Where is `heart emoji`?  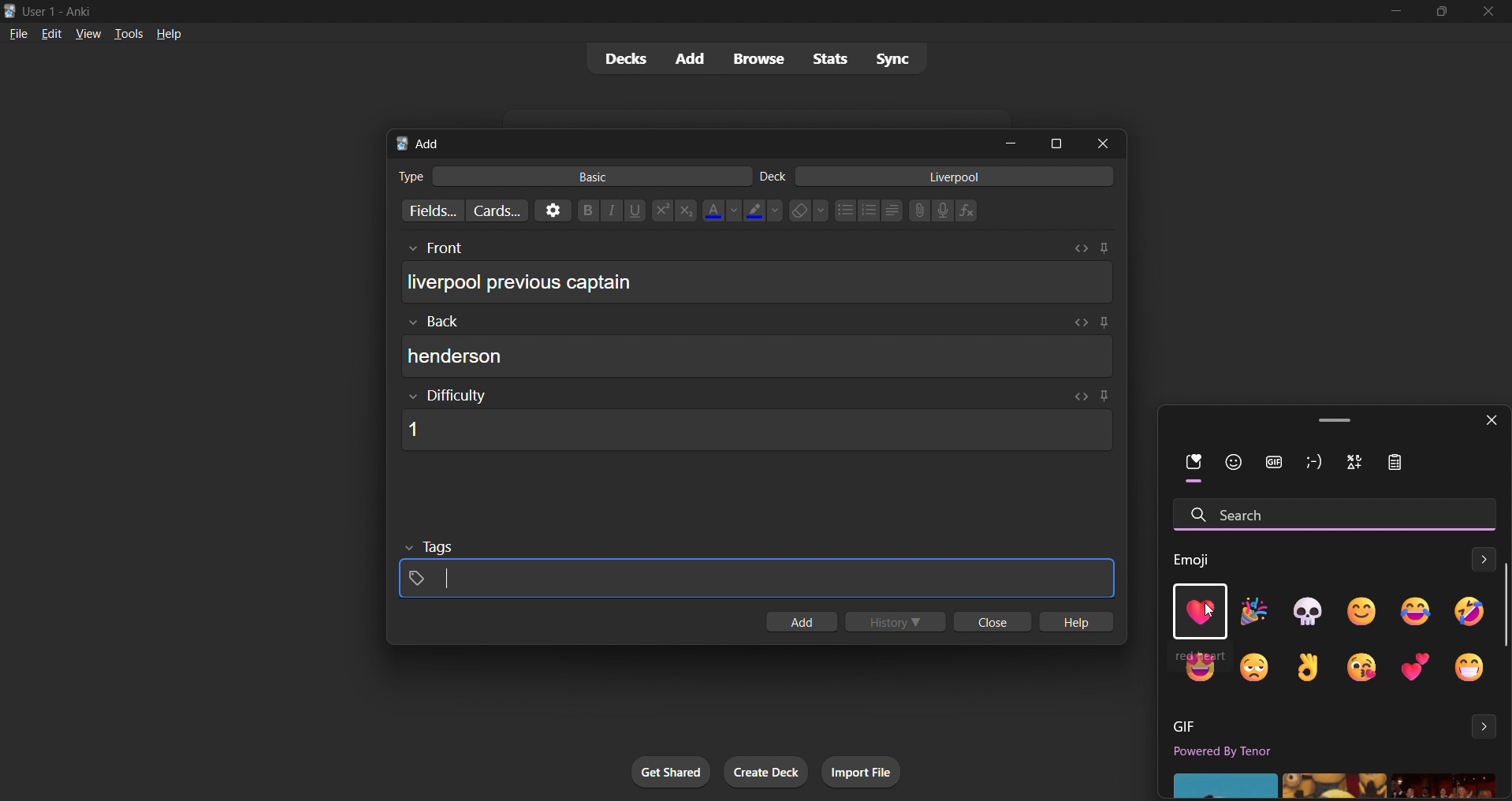 heart emoji is located at coordinates (1197, 613).